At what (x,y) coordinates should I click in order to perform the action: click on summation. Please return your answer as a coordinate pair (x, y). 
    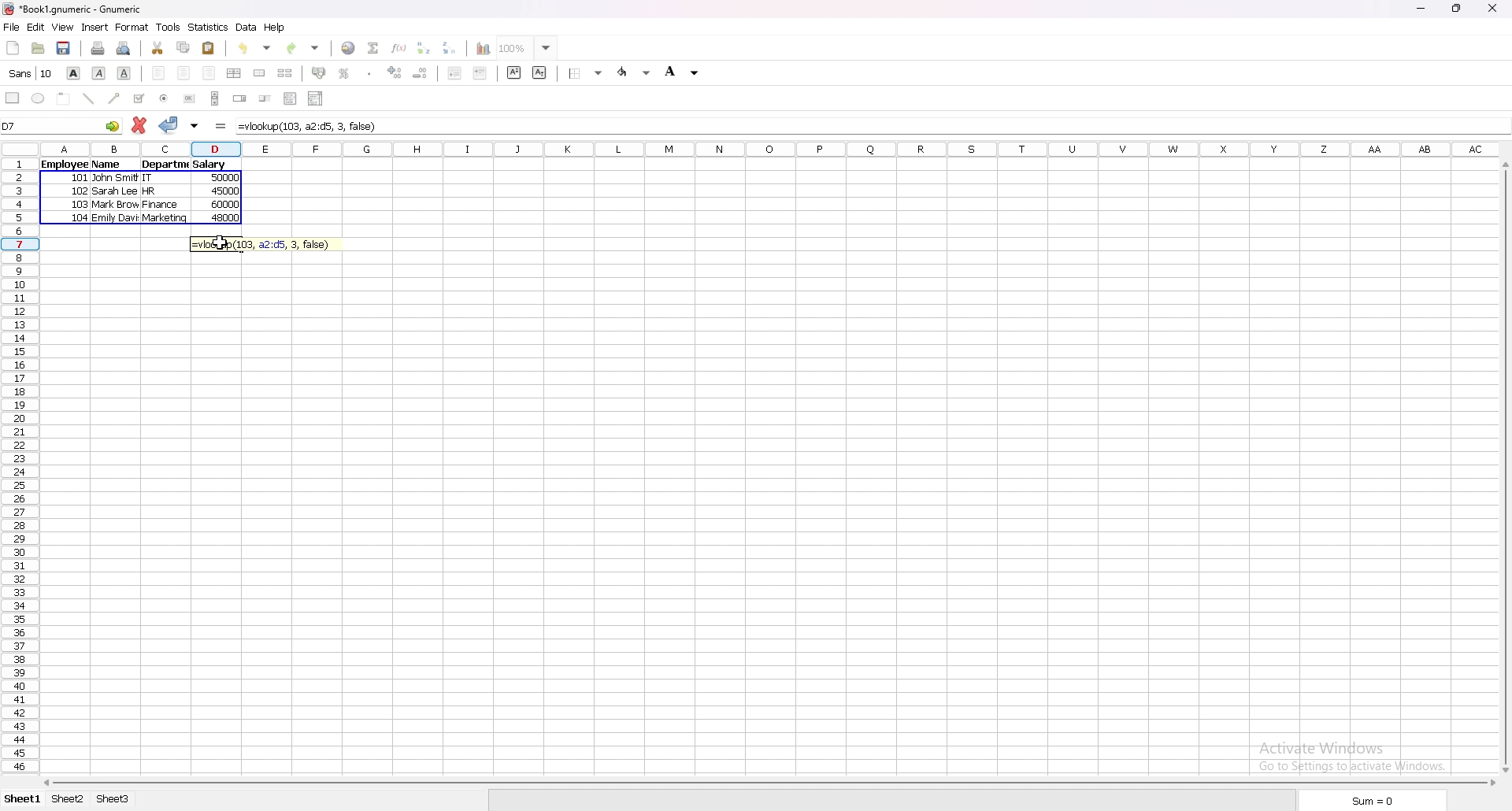
    Looking at the image, I should click on (374, 48).